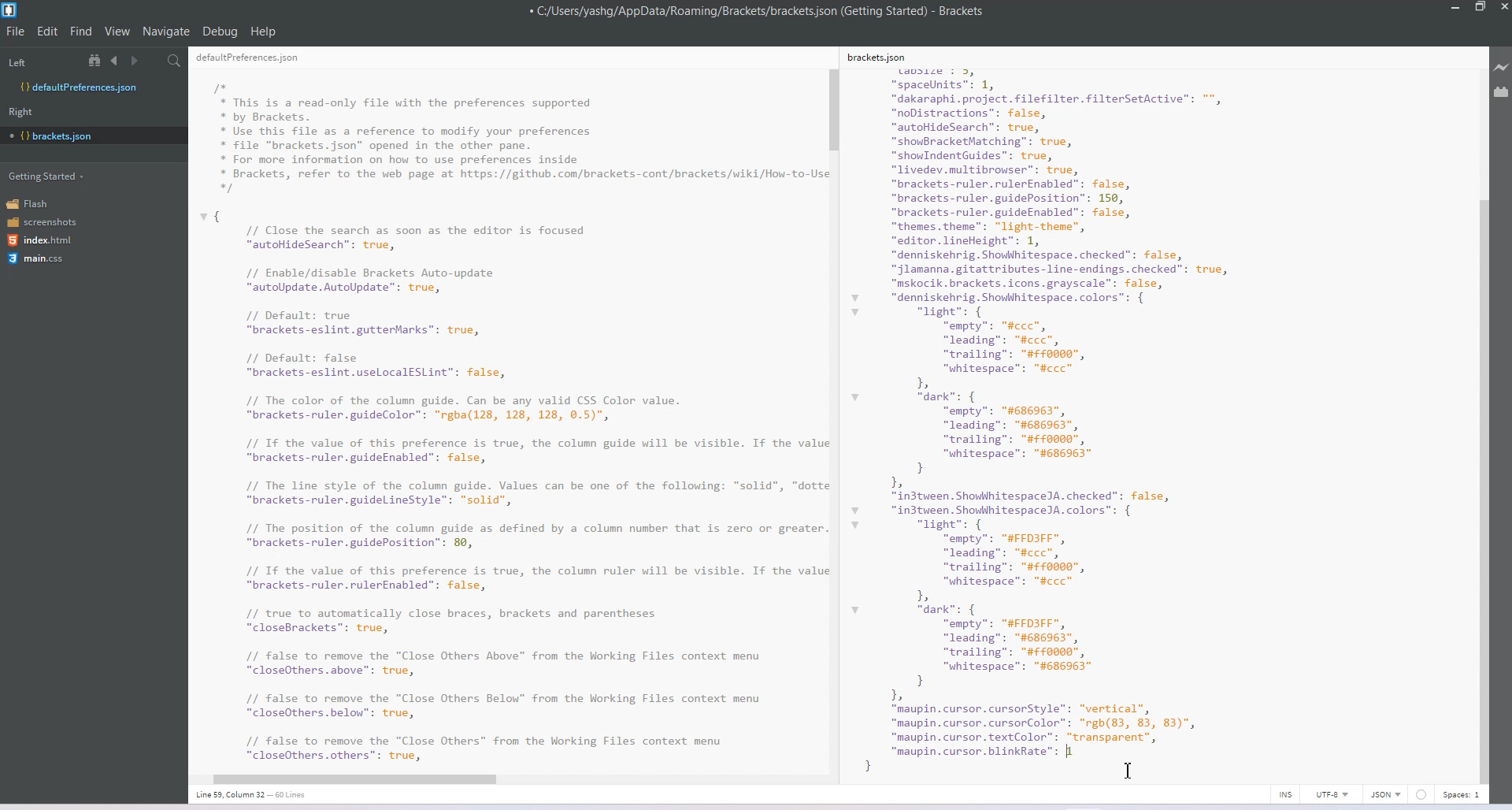 The width and height of the screenshot is (1512, 810). I want to click on RE I
I”
* This is a read-only file with the preferences supported
* by Brackets.
* Use this file as a reference to modify your preferences
* file "brackets.json" opened in the other pane.
* For more information on how to use preferences inside
* Brackets, refer to the web page at https://github.com/brackets-cont/brackets/wiki/How-to-U:
*/
{
// Close the search as soon as the editor is focused
“autoHideSearch”: true,
// Enable/disable Brackets Auto-update
“autoUpdate. AutoUpdate”: true,
// Default: true
“brackets-eslint.gutterMarks": true,
// Default: false
“brackets-eslint.uselocalESLint": false,
// The color of the column guide. Can be any valid CSS Color value.
“brackets-ruler.guideColor": "rgba(128, 128, 128, ©.5)",
// Tf the value of this preference is true, the column guide will be visible. If the val:
“brackets-ruler.guideEnabled": false,
// The line style of the column guide. Values can be one of the following: “solid”, "dott
“brackets-ruler.guidelineStyle": "solid",
// The position of the column guide as defined by a column number that is zero or greater
“brackets-ruler.guidePosition": 89,
// Tf the value of this preference is true, the column ruler will be visible. If the val:
“brackets-ruler.rulerEnabled": false,
// true to automatically close braces, brackets and parentheses
“closeBrackets": true,
// false to remove the "Close Others Above” from the Working Files context menu
“closeOthers.above": true,
// false to remove the "Close Others Below” from the Working Files context menu
“closeOthers.below": true,
// false to remove the "Close Others” from the Working Files context menu
"closeOthers.others”: true,, so click(507, 408).